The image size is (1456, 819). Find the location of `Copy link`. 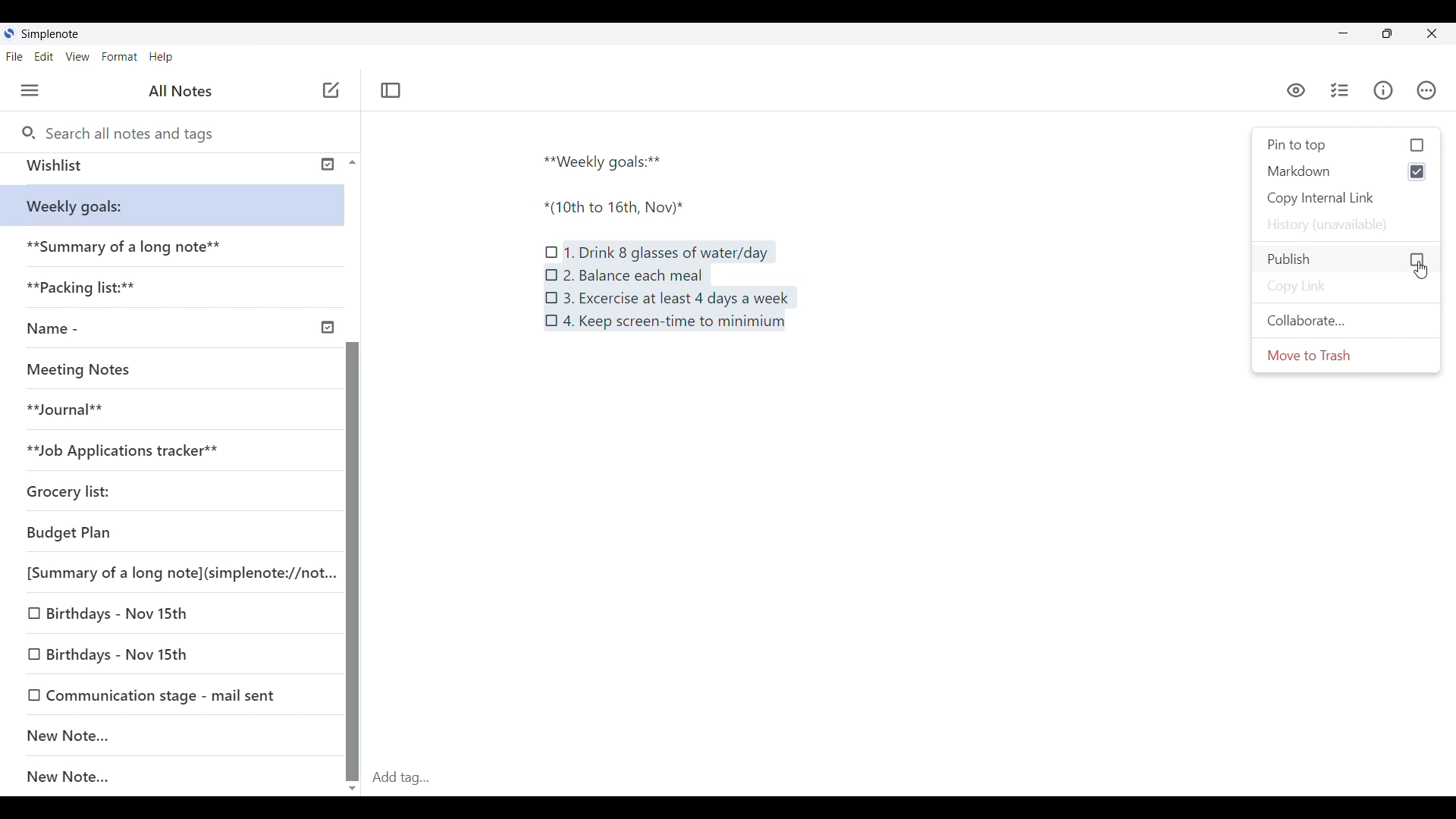

Copy link is located at coordinates (1301, 286).